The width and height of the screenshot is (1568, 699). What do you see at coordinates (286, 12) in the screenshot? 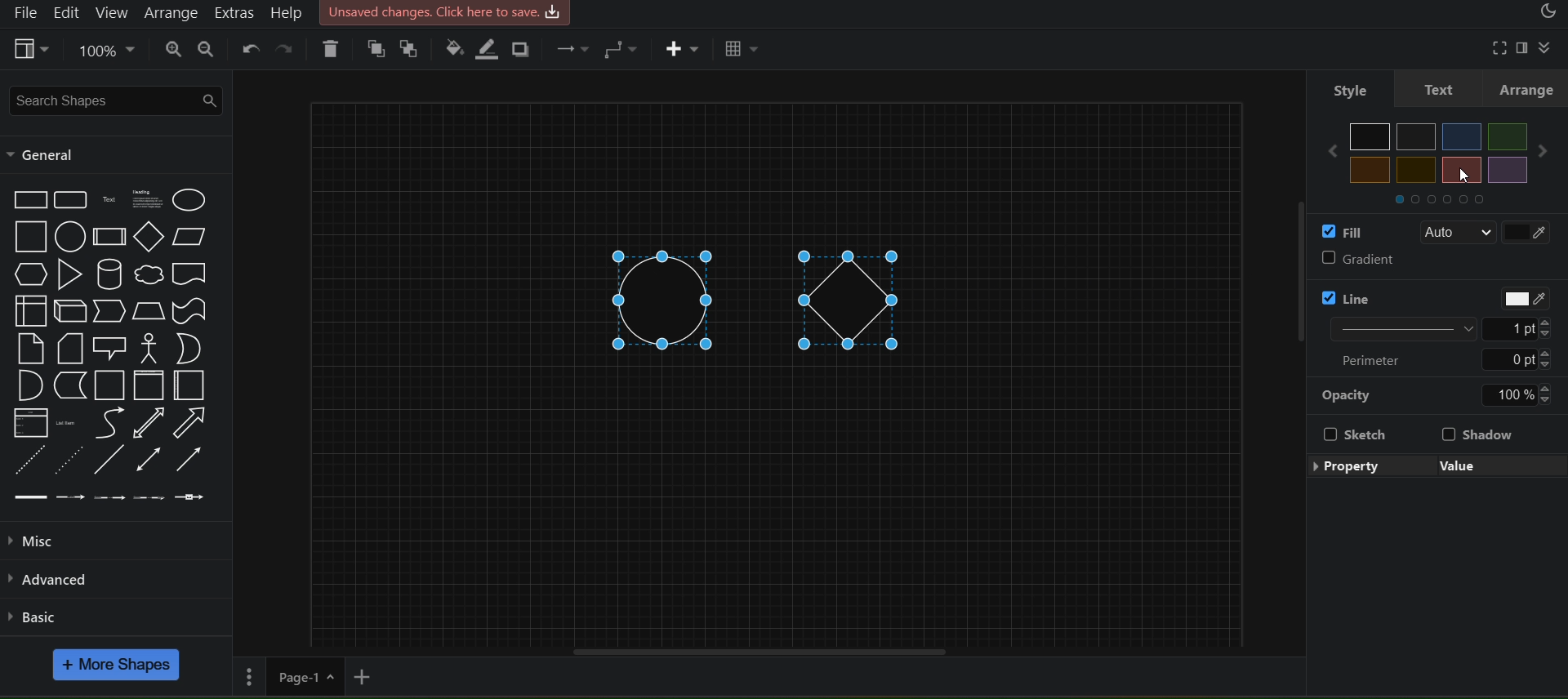
I see `help` at bounding box center [286, 12].